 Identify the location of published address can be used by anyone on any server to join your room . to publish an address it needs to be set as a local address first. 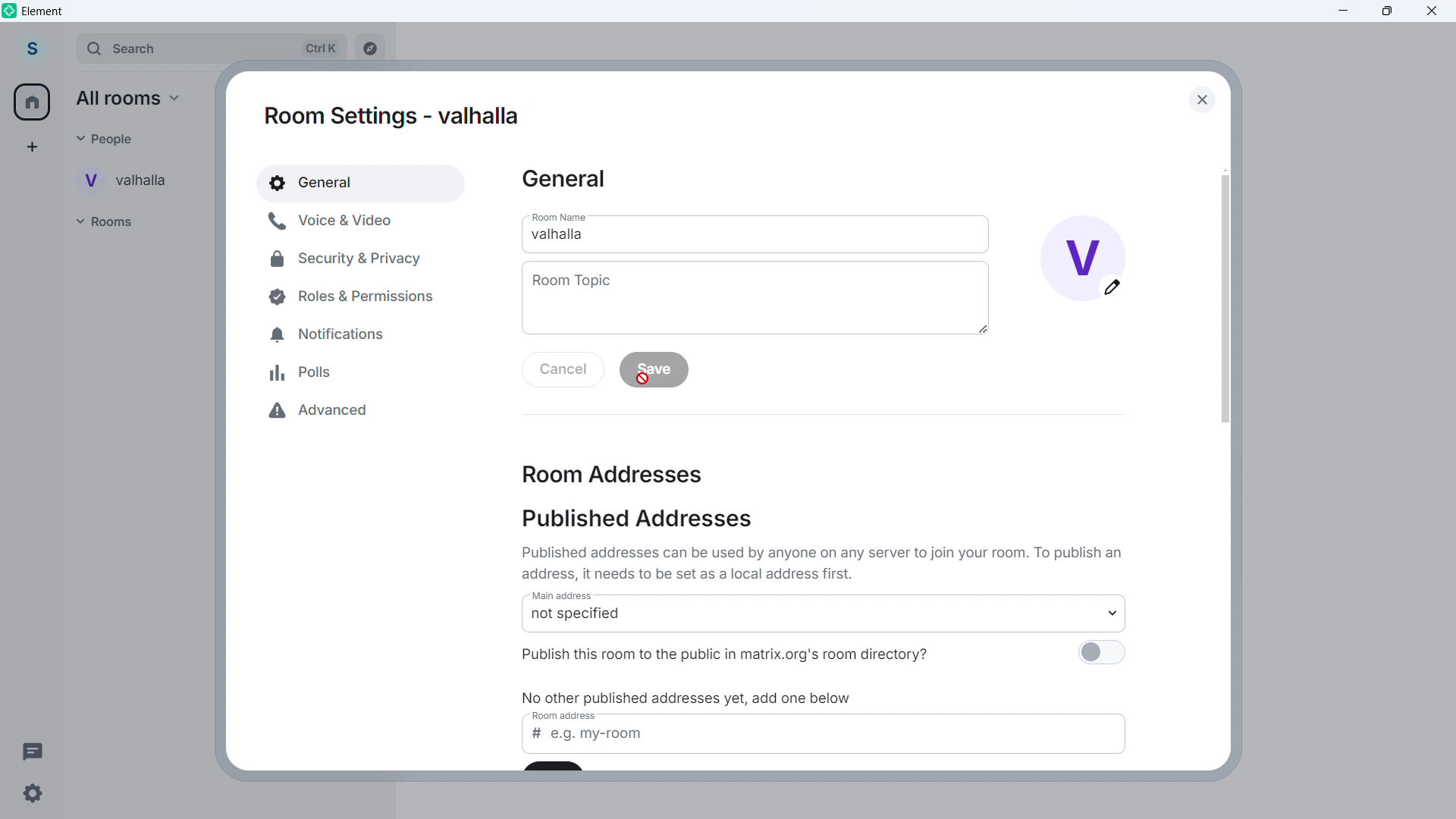
(826, 563).